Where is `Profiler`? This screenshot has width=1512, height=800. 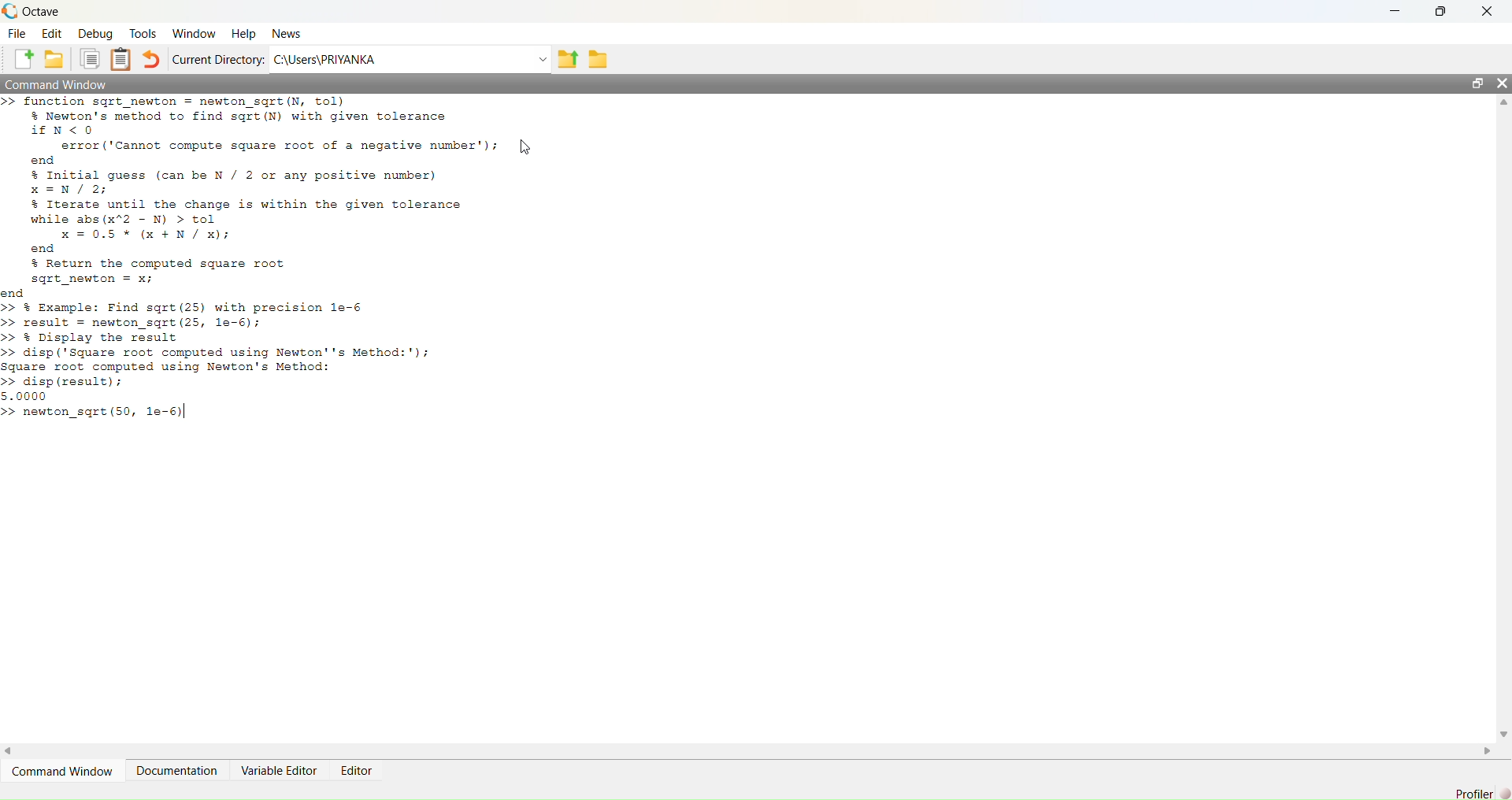
Profiler is located at coordinates (1479, 791).